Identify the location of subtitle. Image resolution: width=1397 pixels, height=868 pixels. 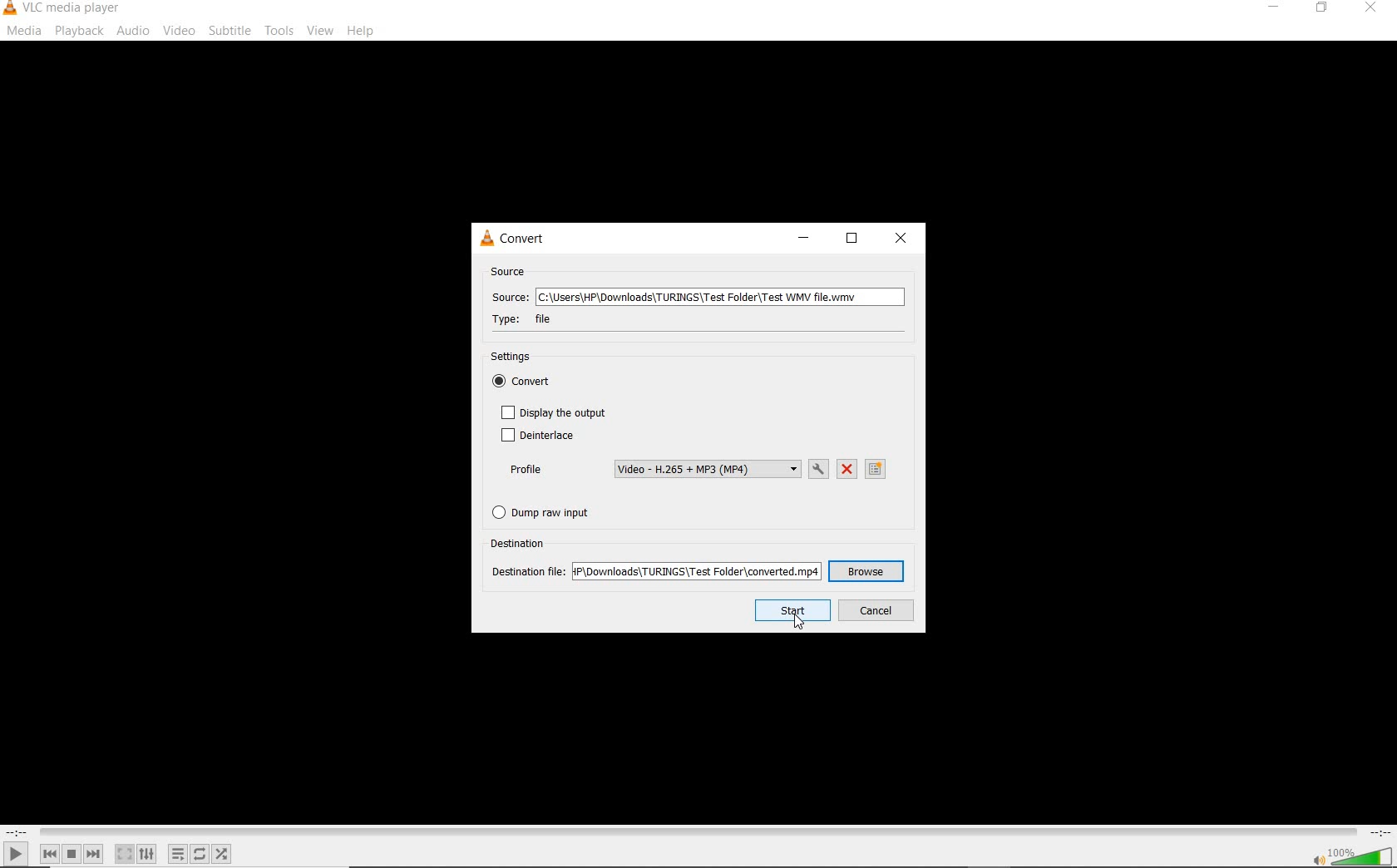
(230, 31).